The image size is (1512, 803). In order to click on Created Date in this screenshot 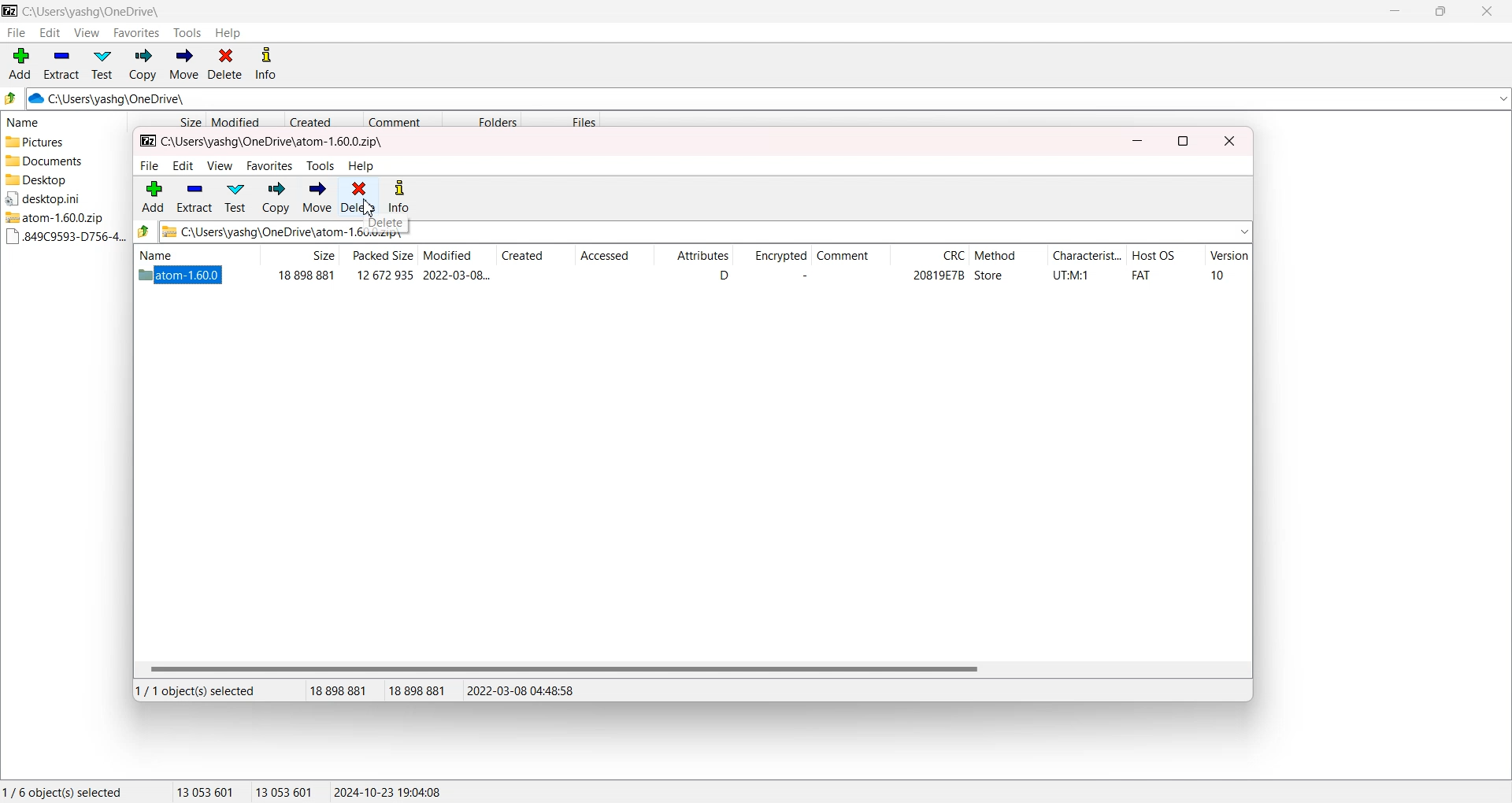, I will do `click(324, 120)`.